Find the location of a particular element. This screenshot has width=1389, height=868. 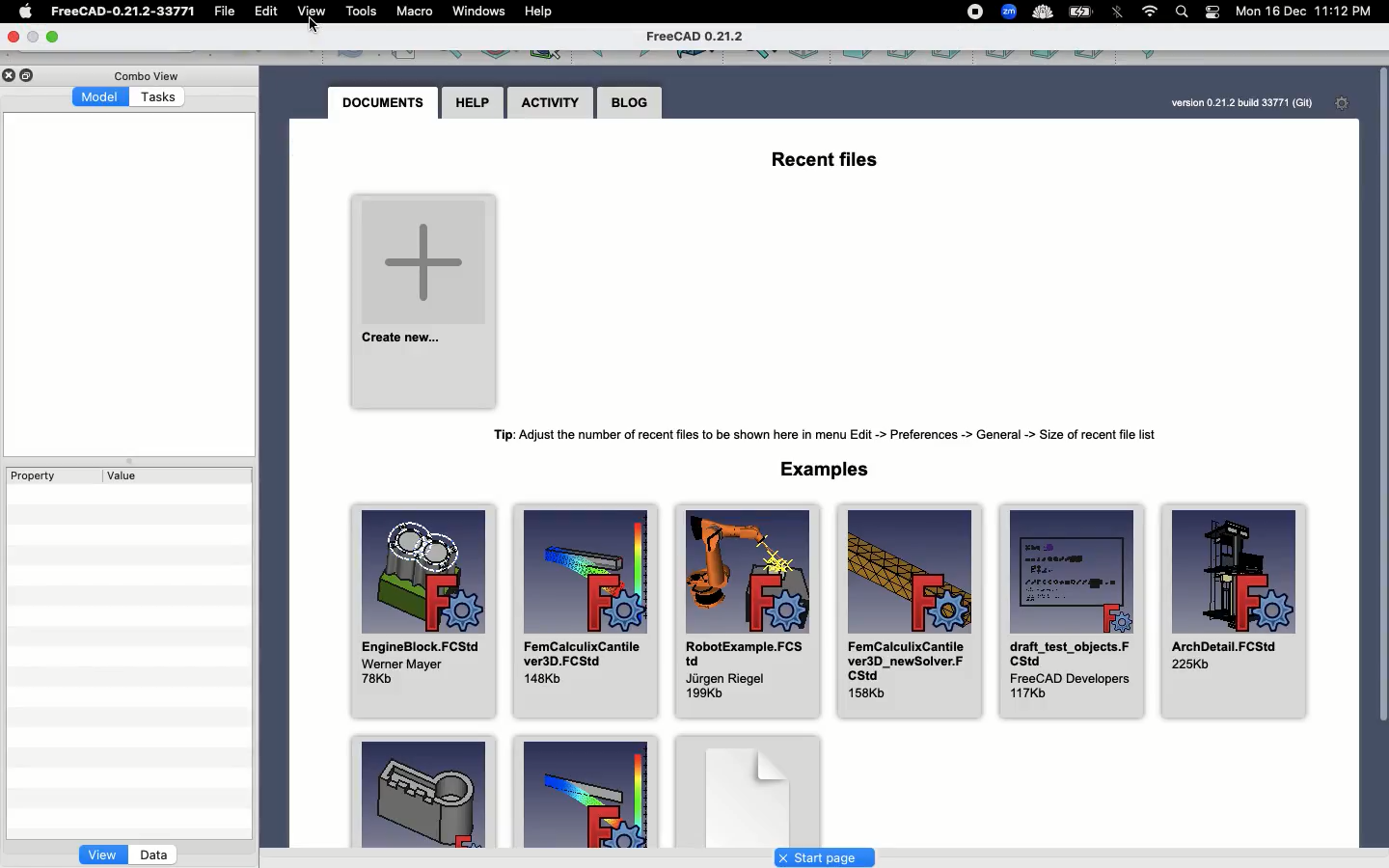

Create new is located at coordinates (422, 298).